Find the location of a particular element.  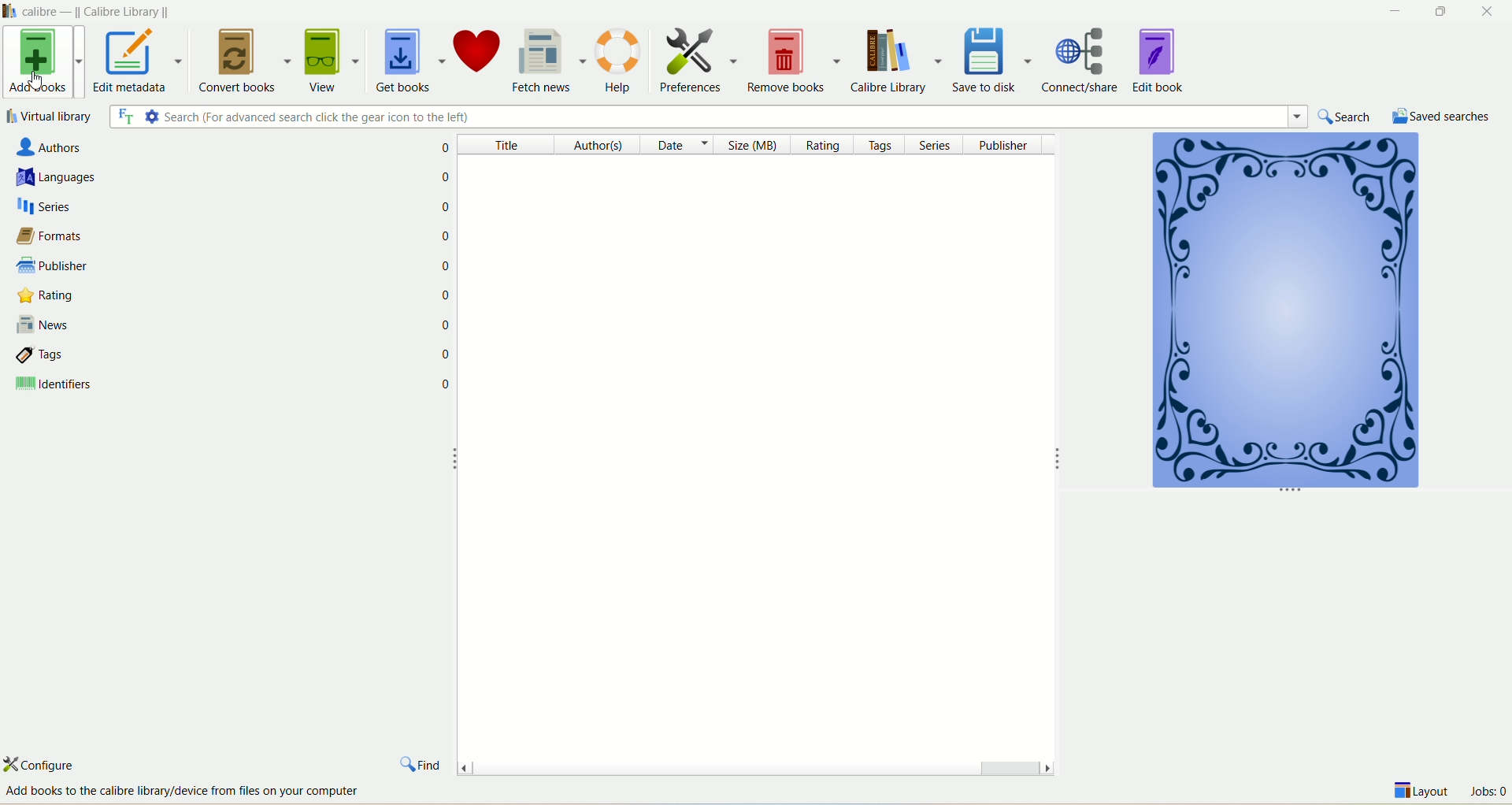

convert books is located at coordinates (243, 61).